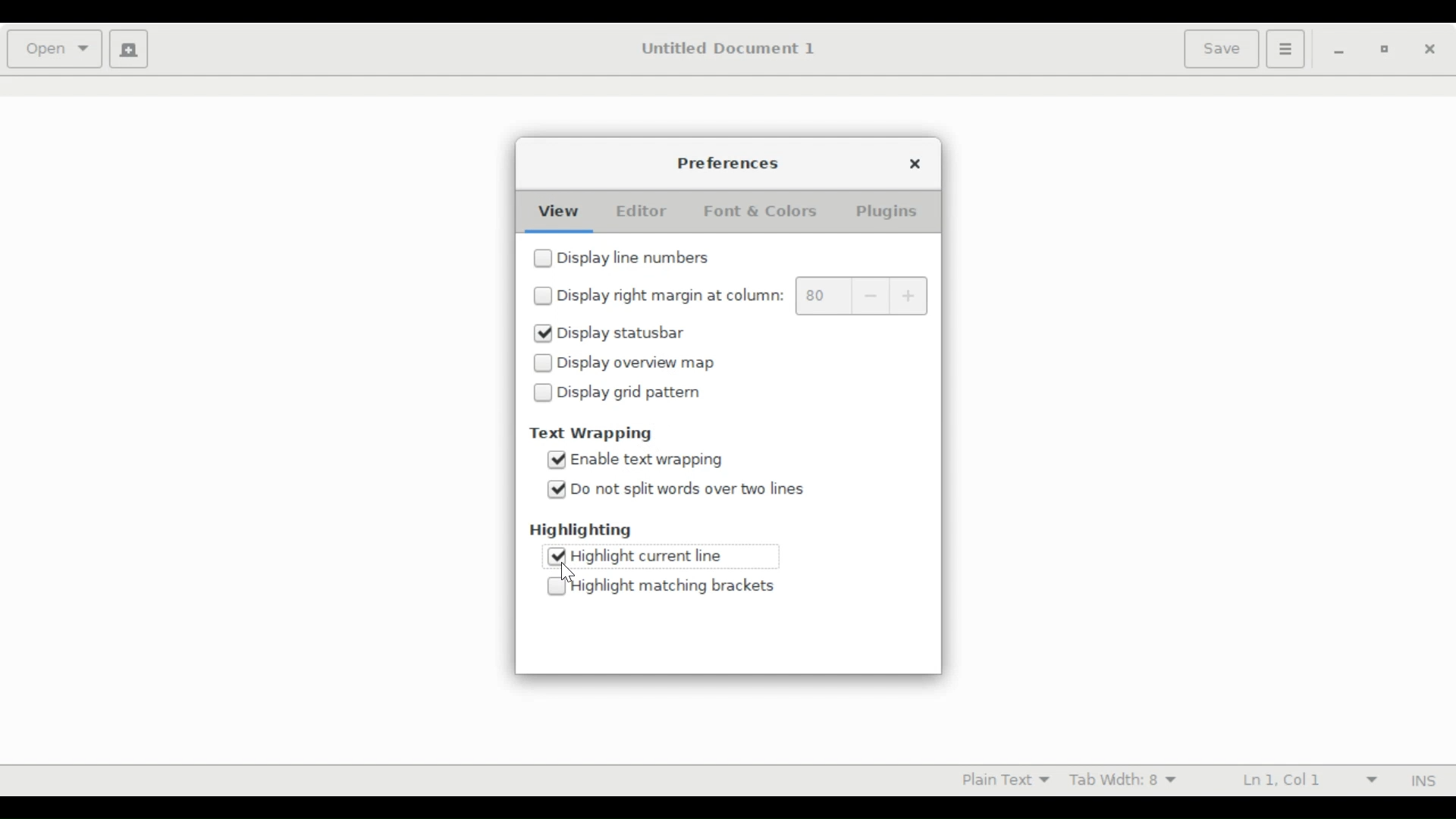  Describe the element at coordinates (670, 297) in the screenshot. I see `Display right margin at column` at that location.